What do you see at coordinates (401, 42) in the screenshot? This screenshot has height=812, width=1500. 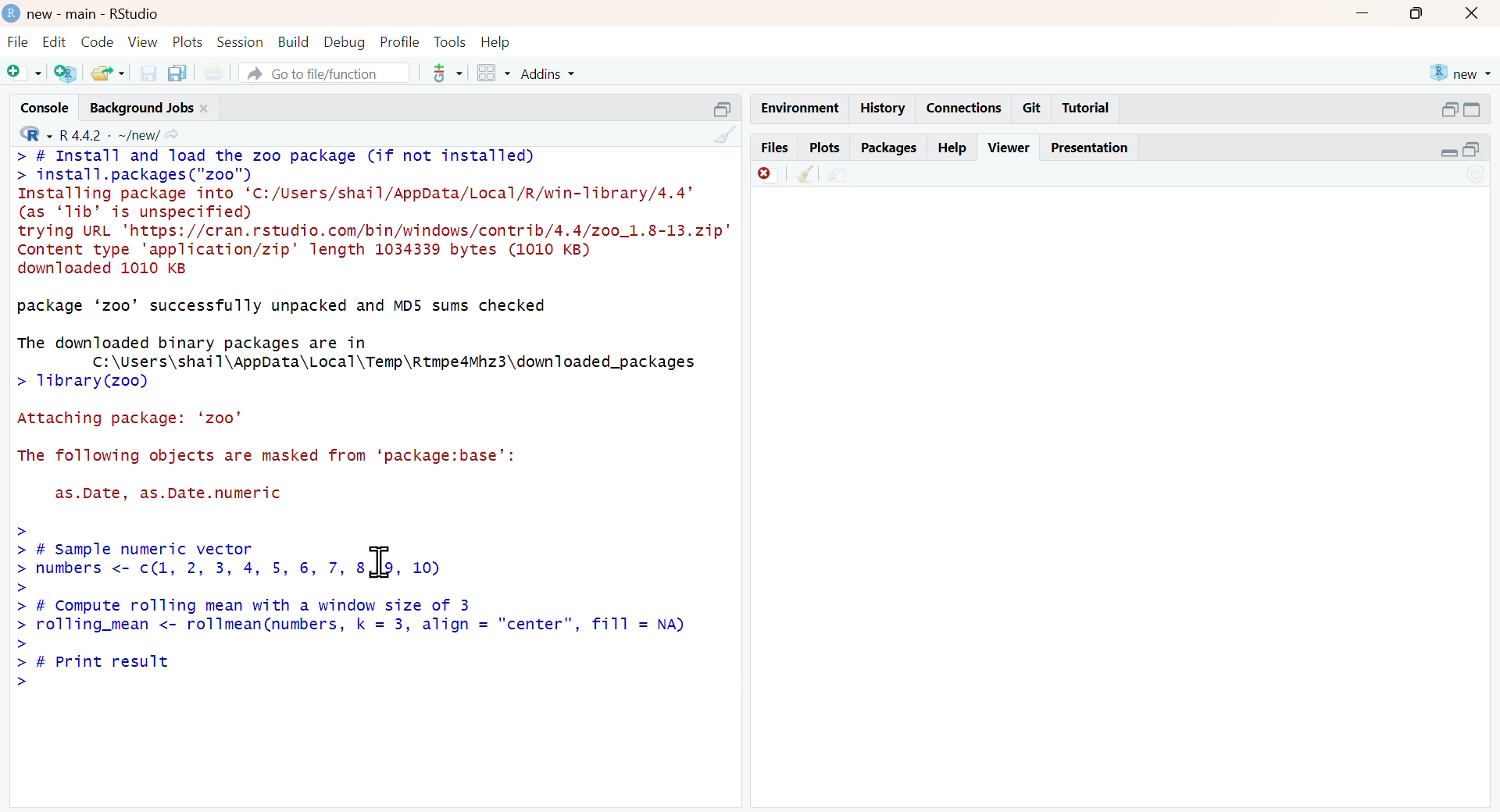 I see `profile` at bounding box center [401, 42].